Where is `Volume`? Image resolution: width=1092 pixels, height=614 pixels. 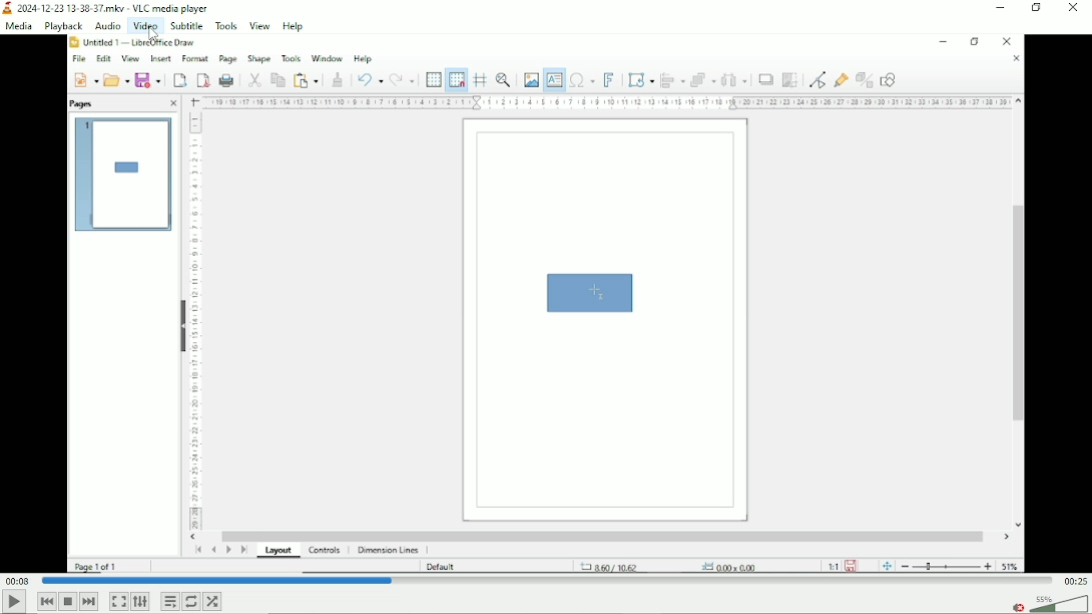 Volume is located at coordinates (1048, 601).